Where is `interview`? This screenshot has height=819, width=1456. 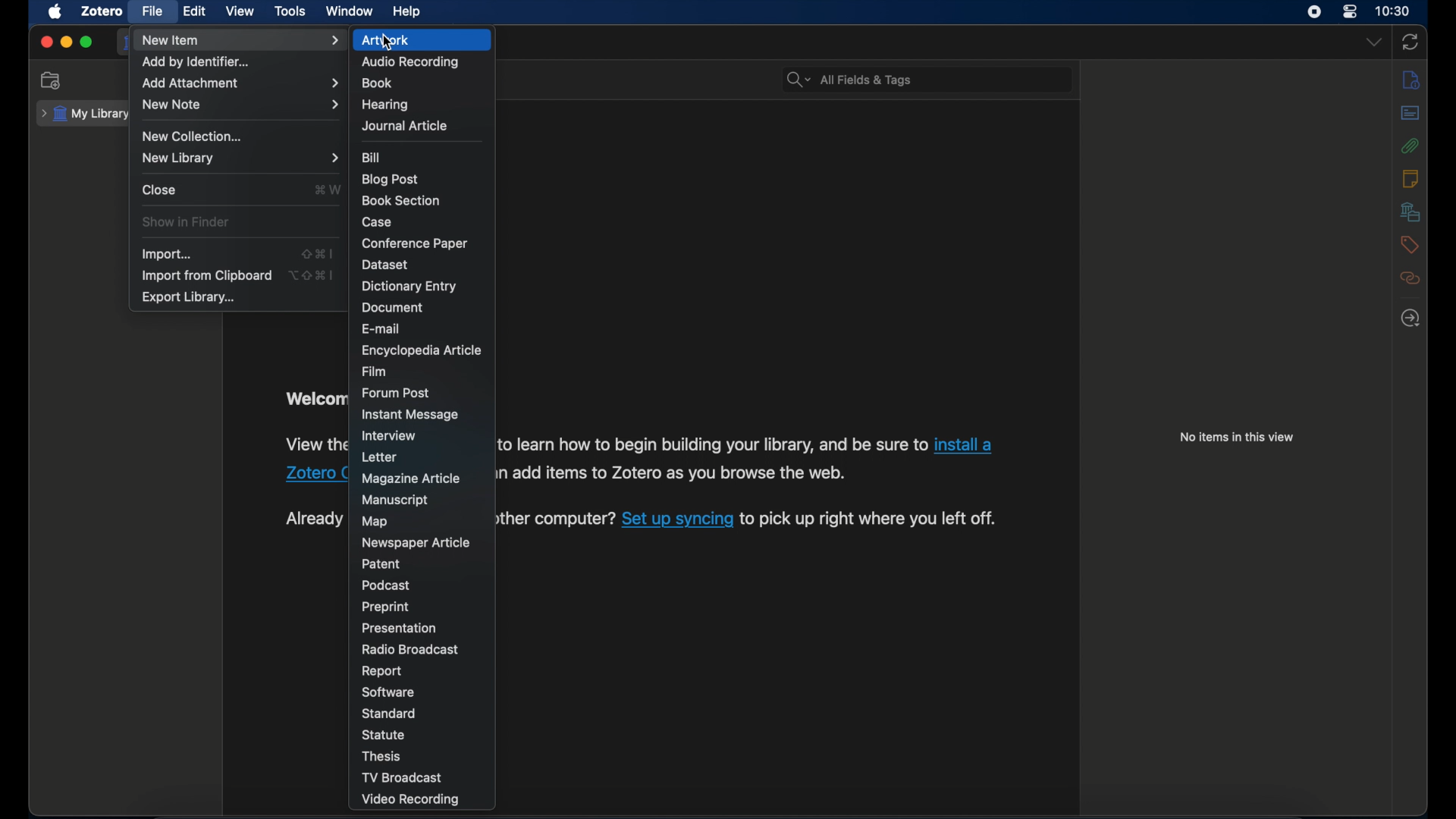
interview is located at coordinates (388, 436).